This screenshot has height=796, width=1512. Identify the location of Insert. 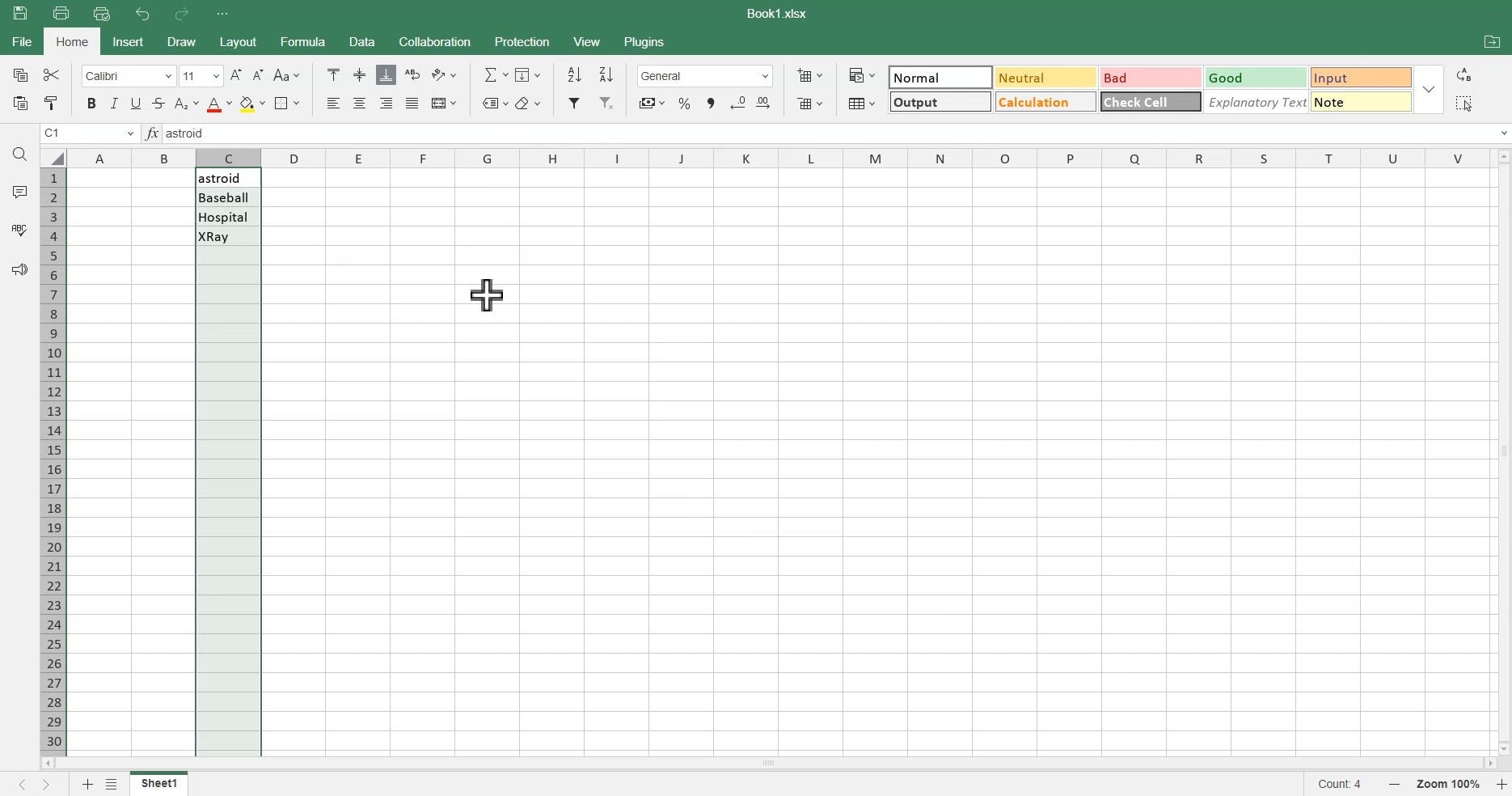
(129, 41).